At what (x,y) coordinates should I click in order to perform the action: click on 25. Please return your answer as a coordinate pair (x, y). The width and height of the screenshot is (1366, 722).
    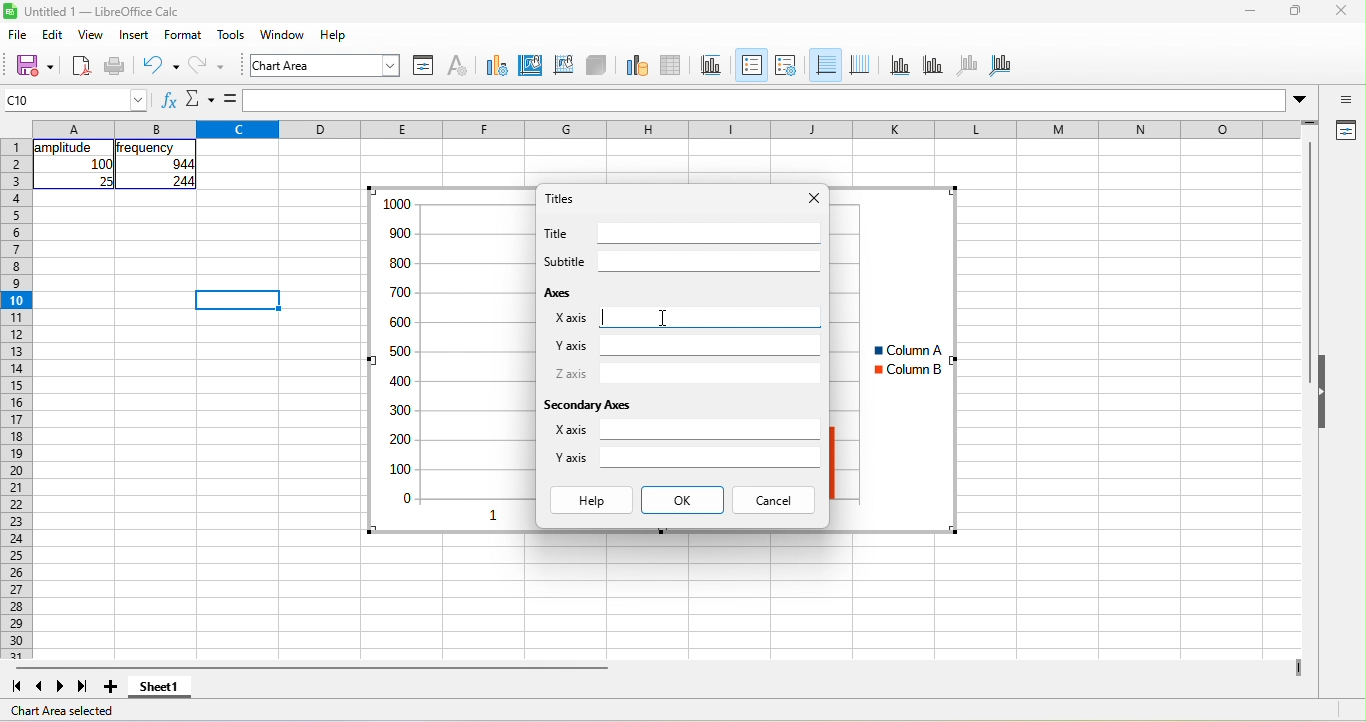
    Looking at the image, I should click on (105, 181).